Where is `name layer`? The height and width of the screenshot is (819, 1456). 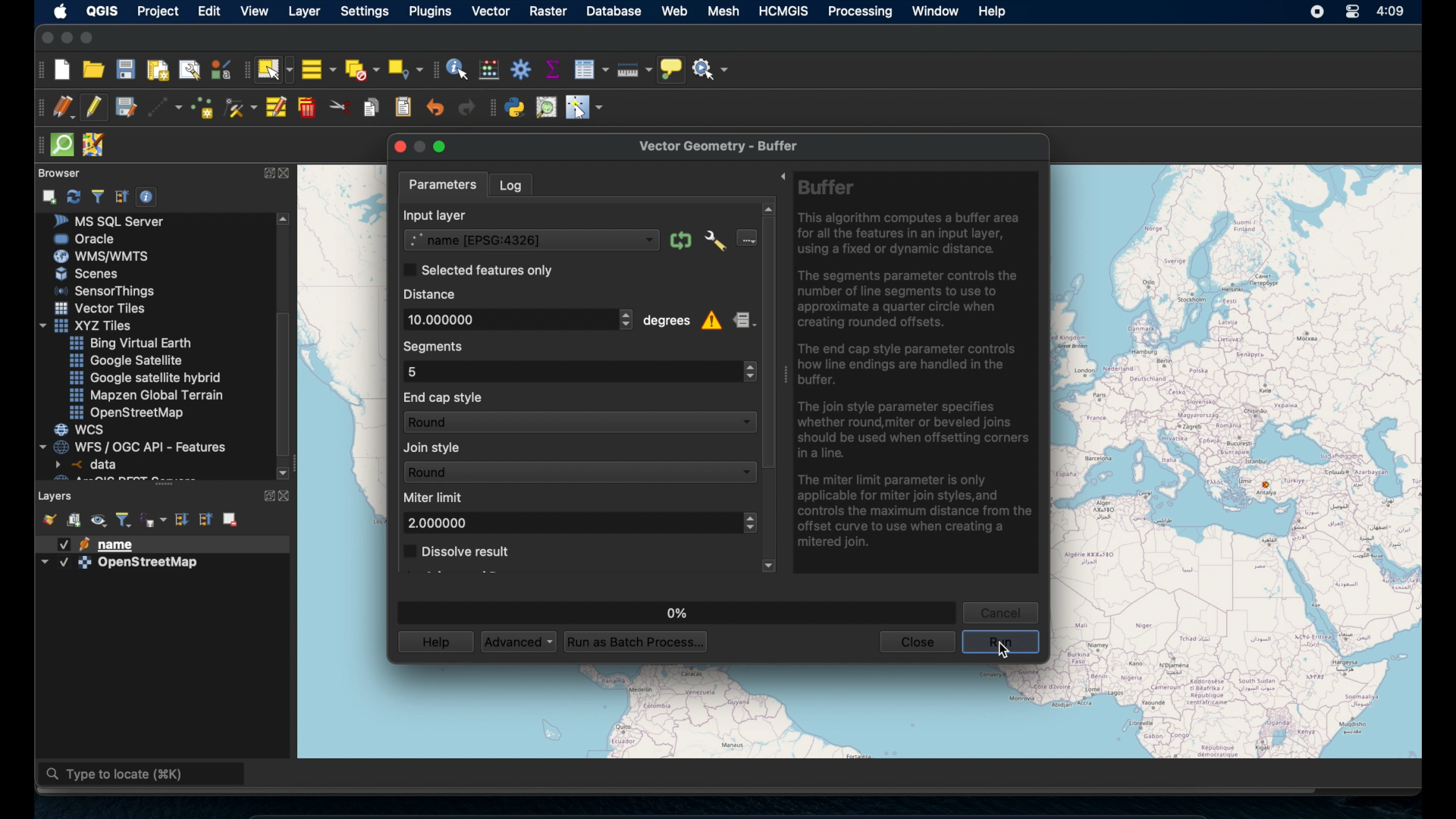
name layer is located at coordinates (102, 544).